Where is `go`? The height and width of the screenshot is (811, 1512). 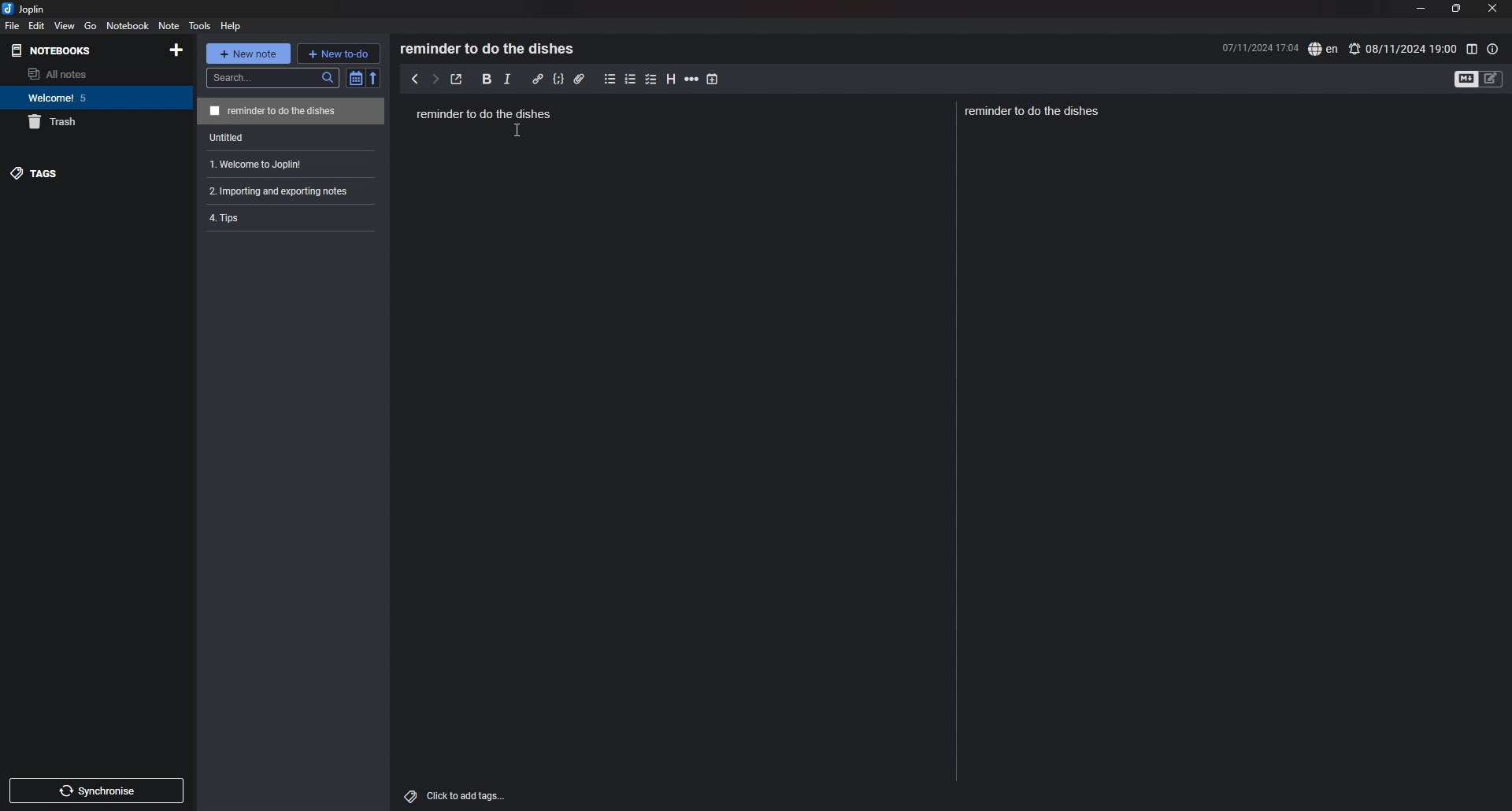
go is located at coordinates (91, 26).